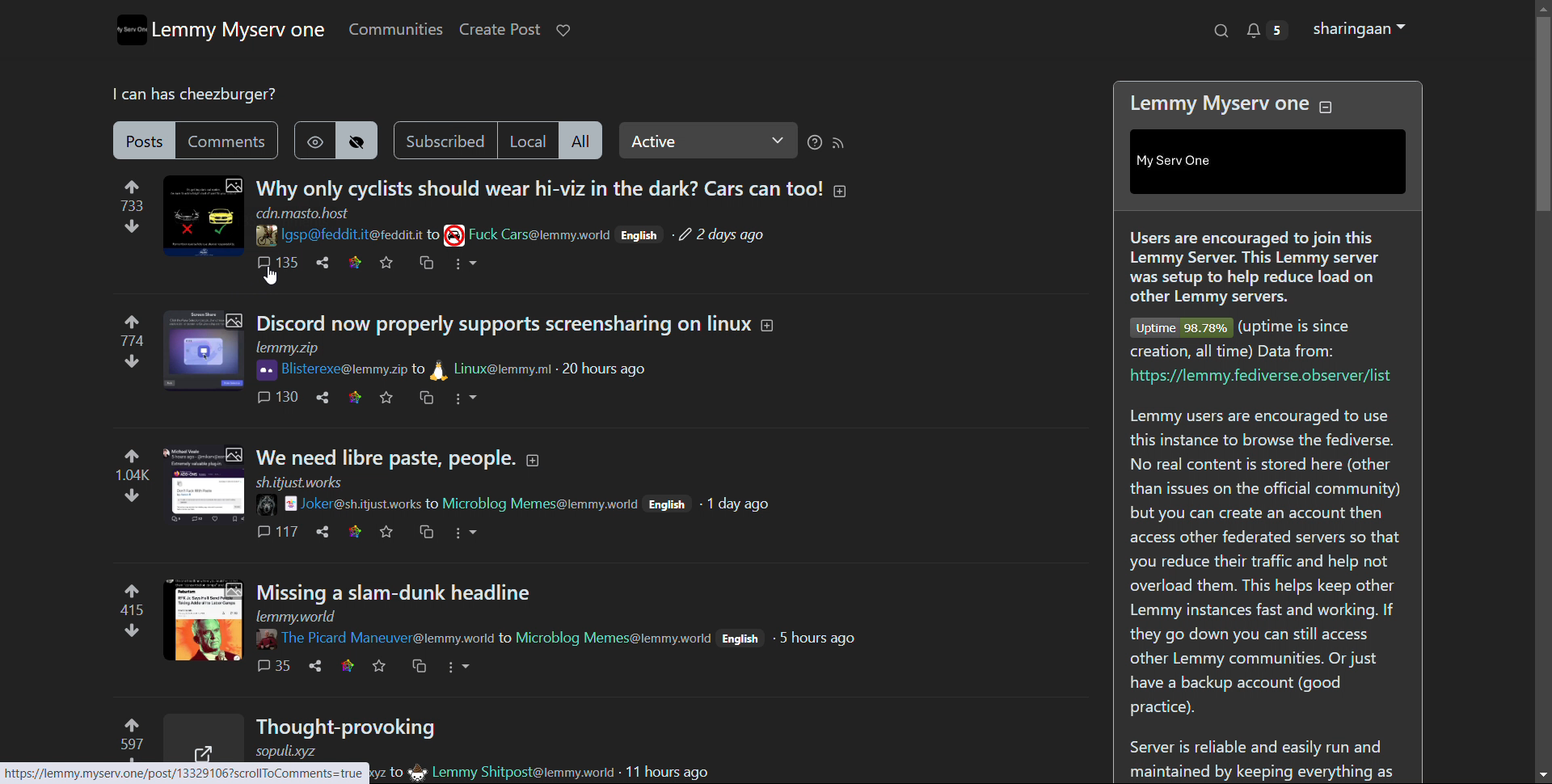 The image size is (1552, 784). Describe the element at coordinates (133, 464) in the screenshot. I see `upvote 1.04K` at that location.